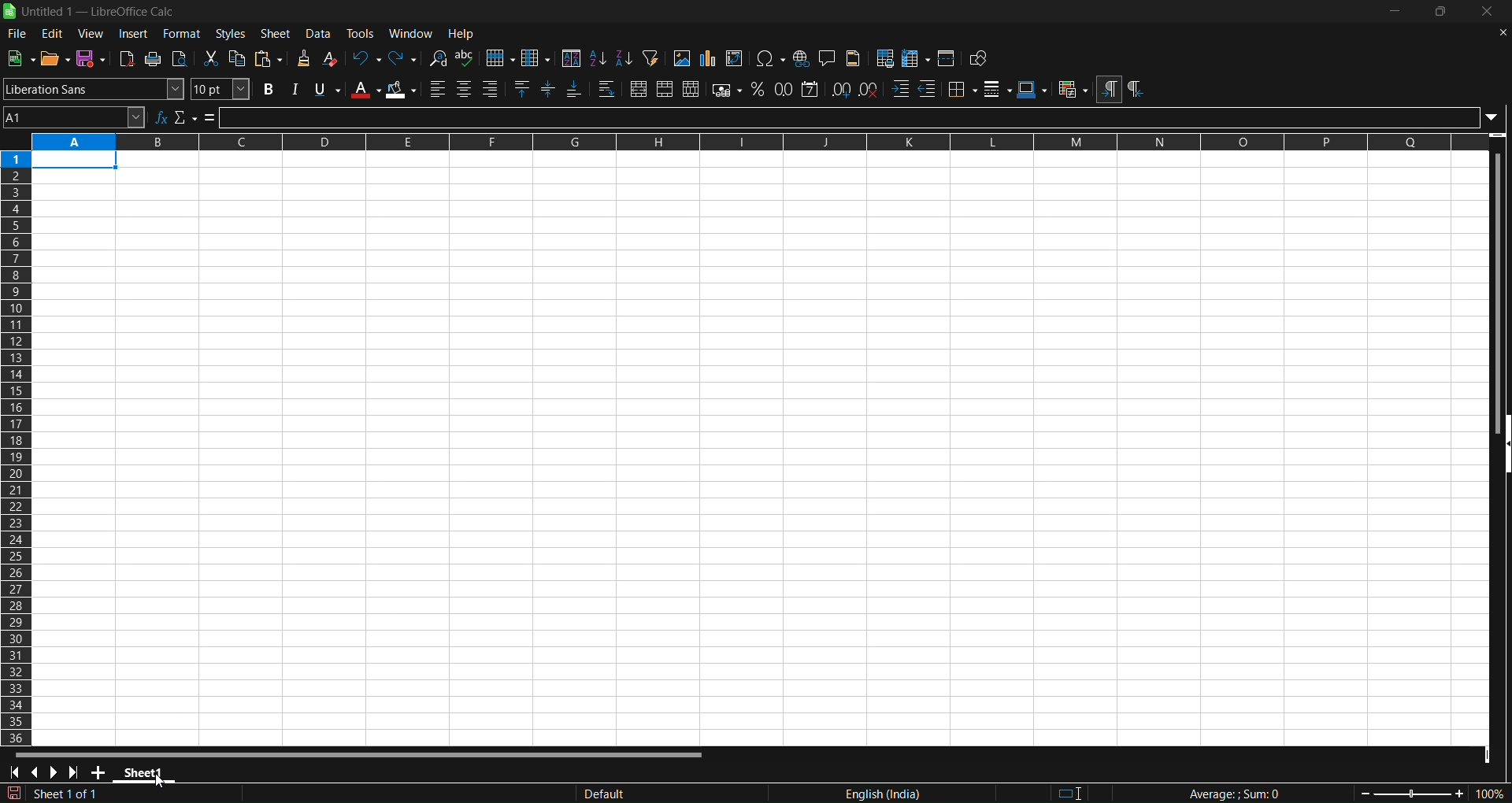  What do you see at coordinates (54, 772) in the screenshot?
I see `scroll to next sheet` at bounding box center [54, 772].